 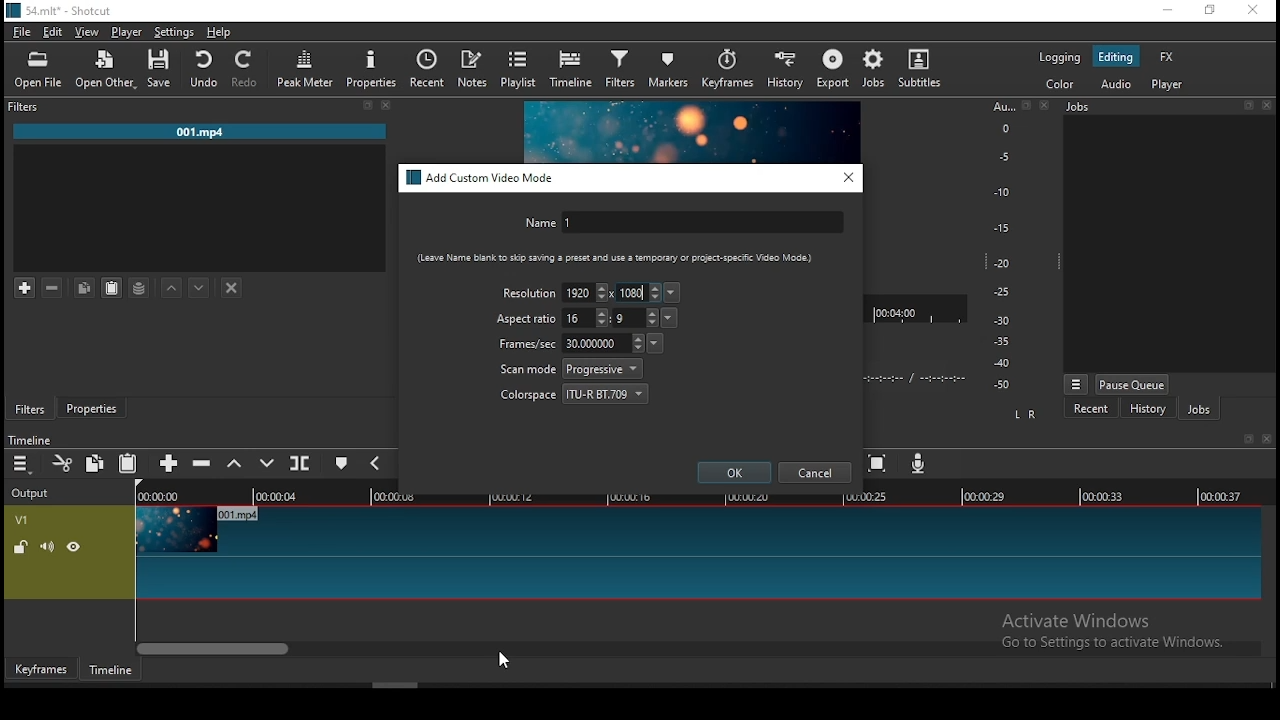 What do you see at coordinates (22, 34) in the screenshot?
I see `file` at bounding box center [22, 34].